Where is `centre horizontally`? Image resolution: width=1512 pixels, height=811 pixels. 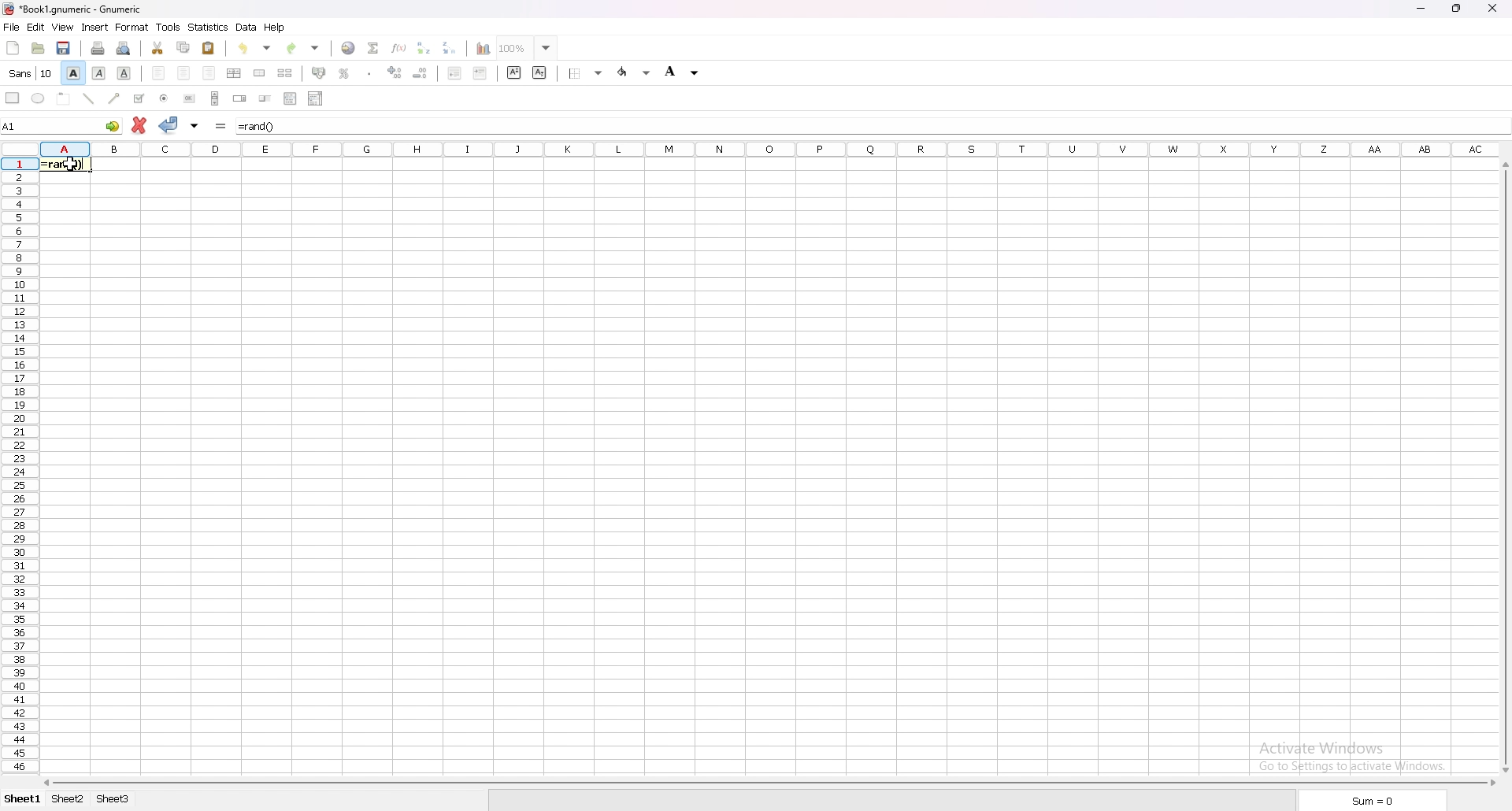
centre horizontally is located at coordinates (235, 74).